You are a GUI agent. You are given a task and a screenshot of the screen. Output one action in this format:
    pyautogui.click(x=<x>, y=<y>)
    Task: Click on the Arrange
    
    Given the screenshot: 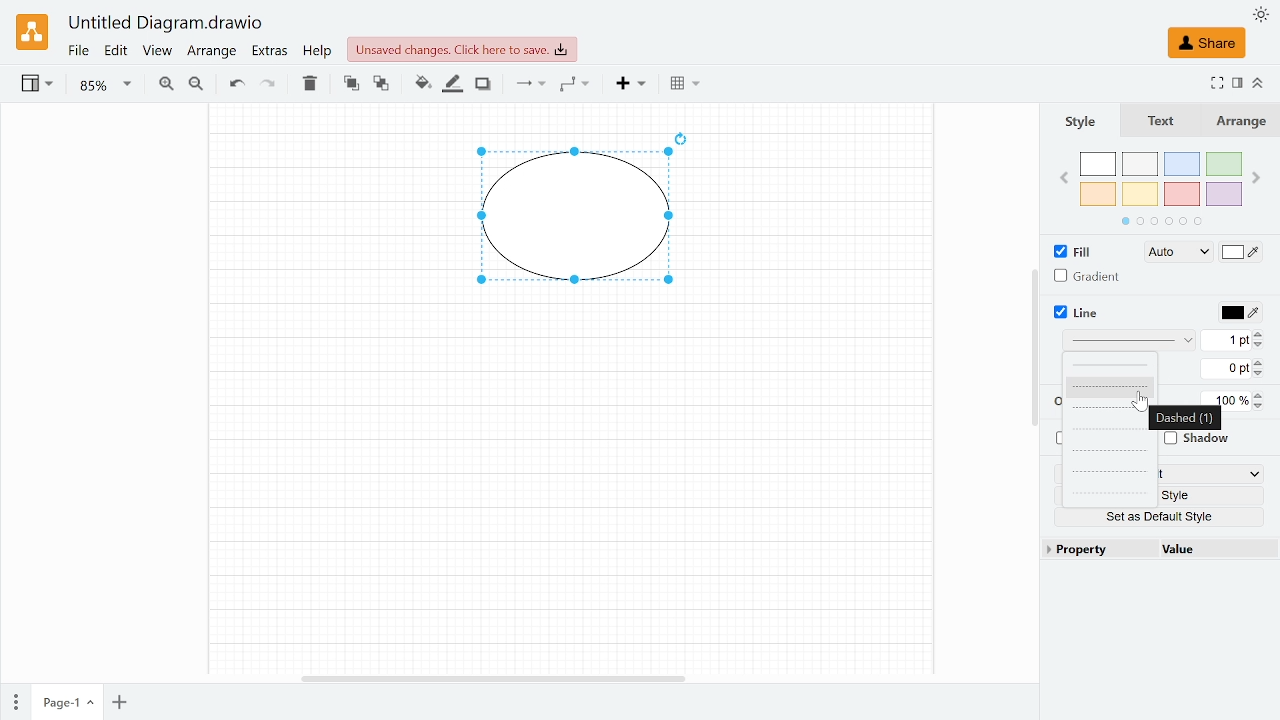 What is the action you would take?
    pyautogui.click(x=1243, y=122)
    